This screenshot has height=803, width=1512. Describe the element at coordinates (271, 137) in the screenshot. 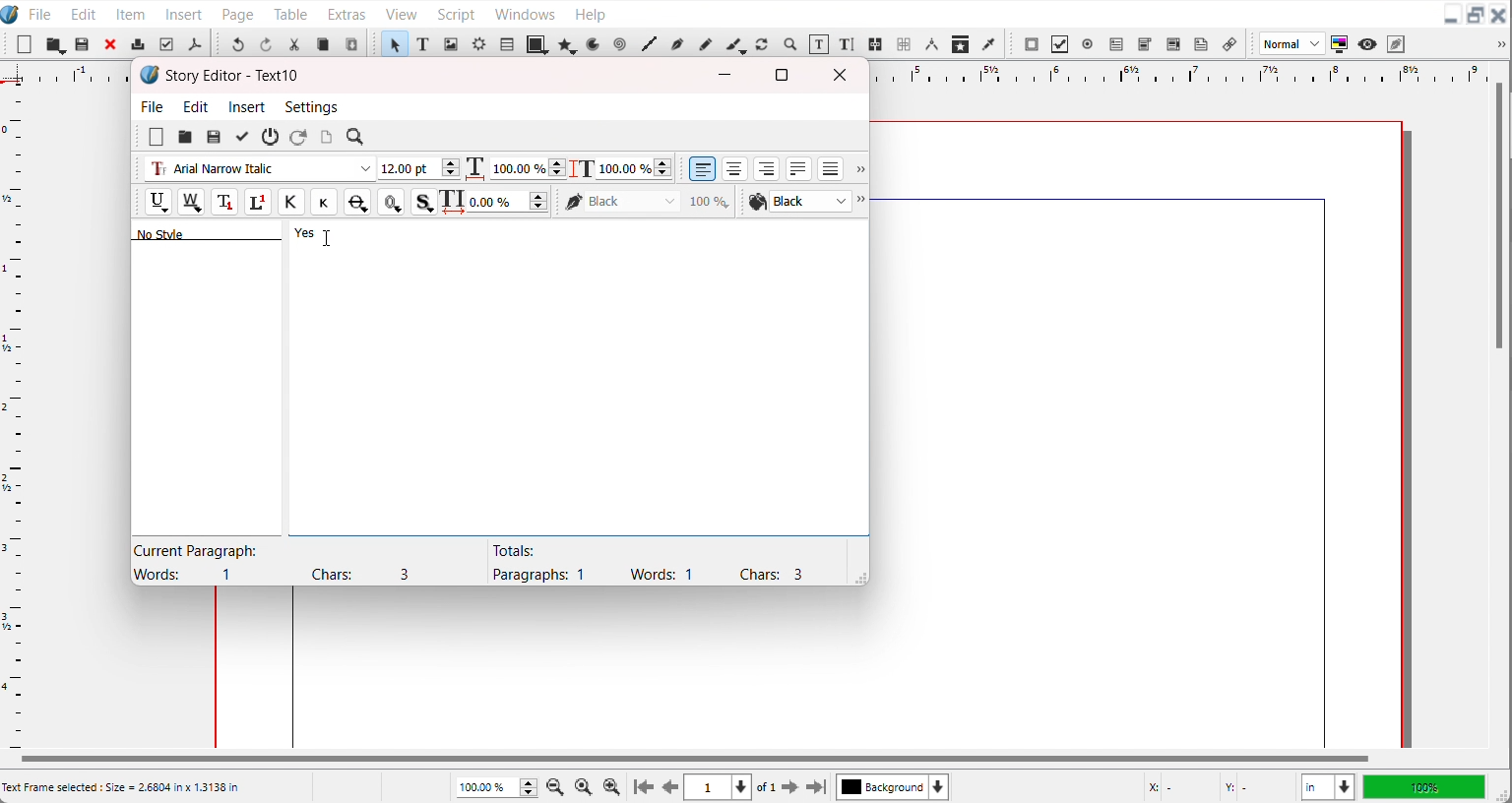

I see `Exit without updating` at that location.